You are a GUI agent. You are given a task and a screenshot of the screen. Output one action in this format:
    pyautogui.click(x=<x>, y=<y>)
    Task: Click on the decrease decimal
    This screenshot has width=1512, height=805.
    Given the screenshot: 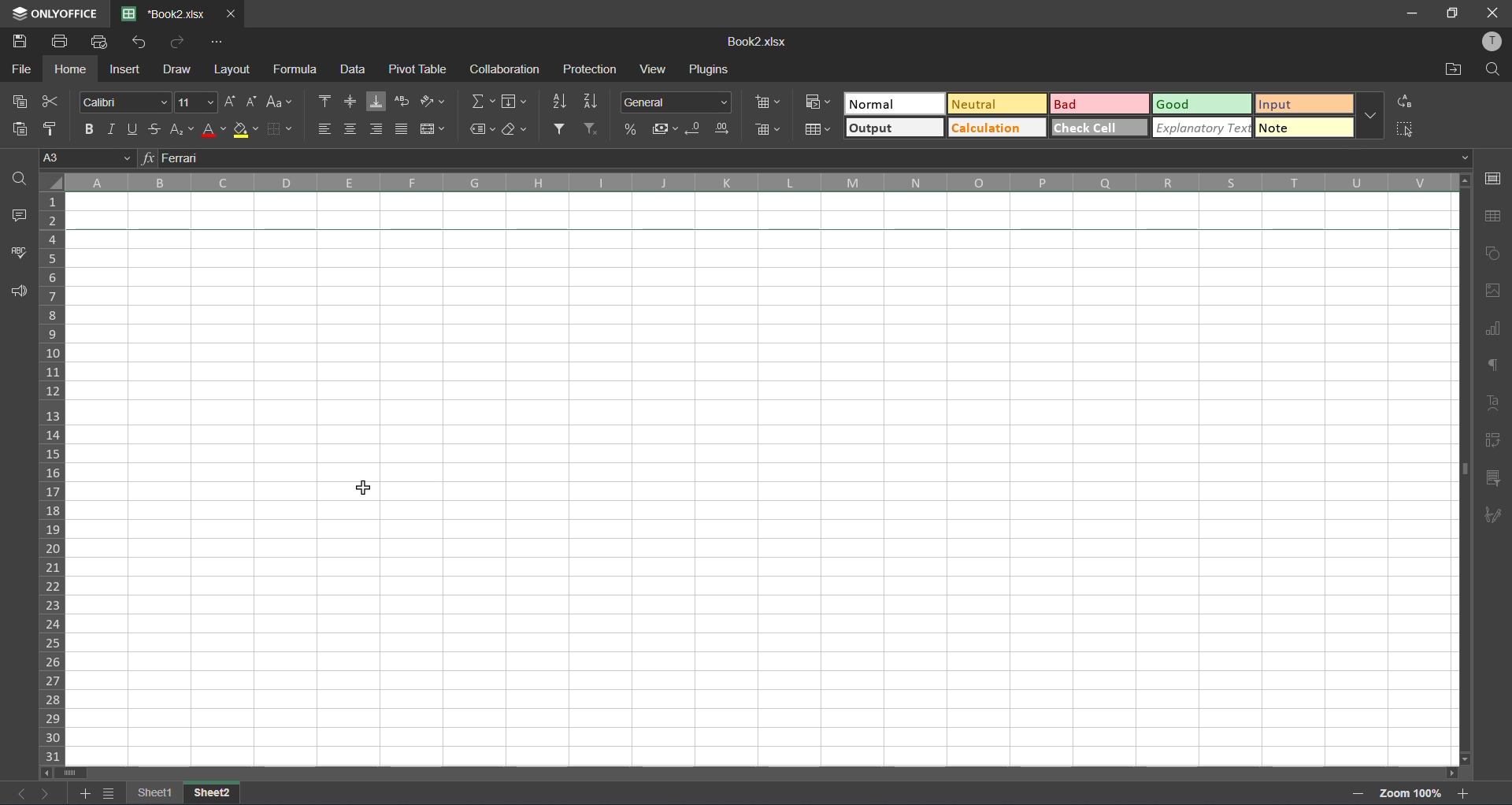 What is the action you would take?
    pyautogui.click(x=695, y=127)
    